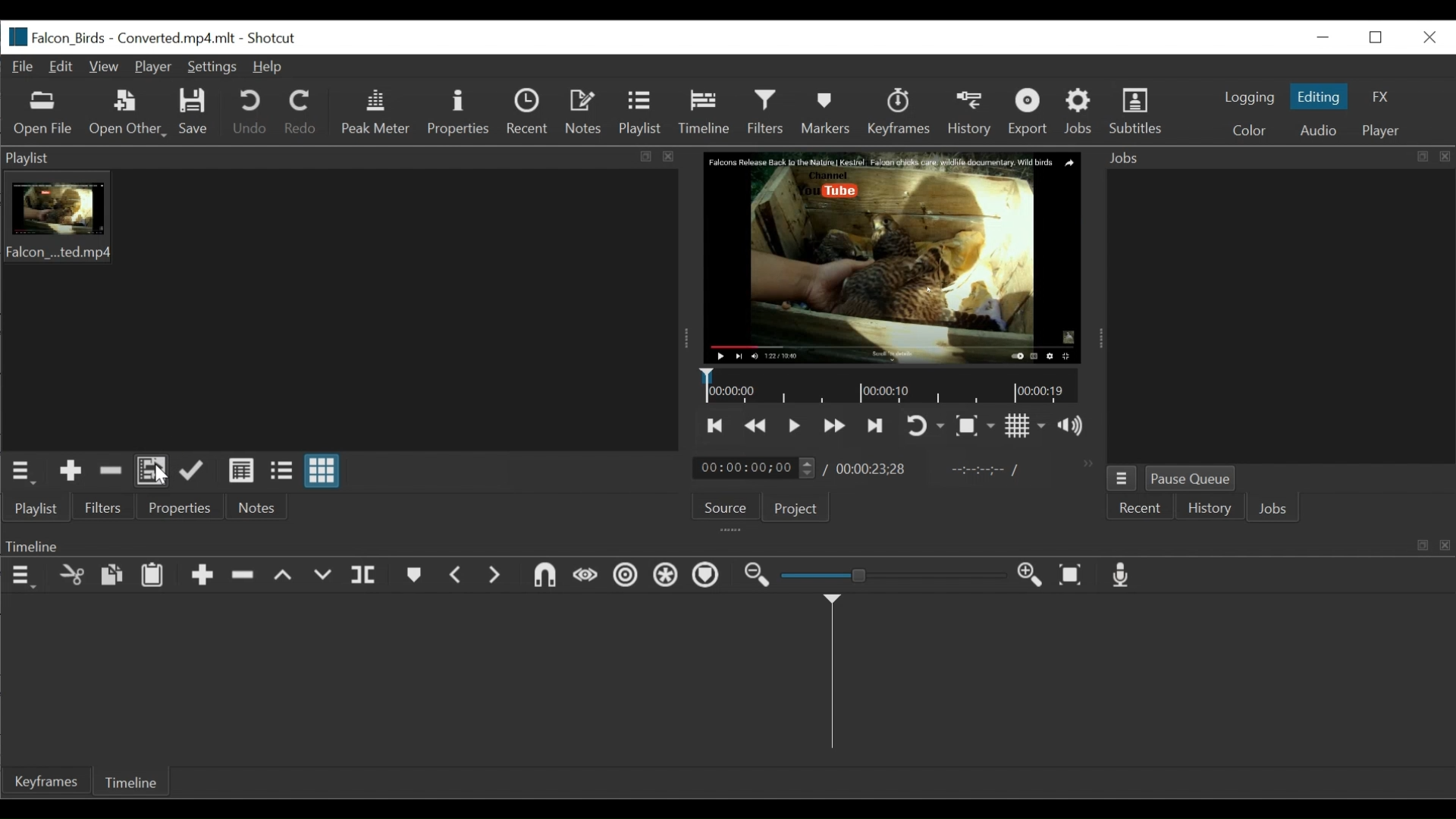 The width and height of the screenshot is (1456, 819). I want to click on Playlist, so click(639, 114).